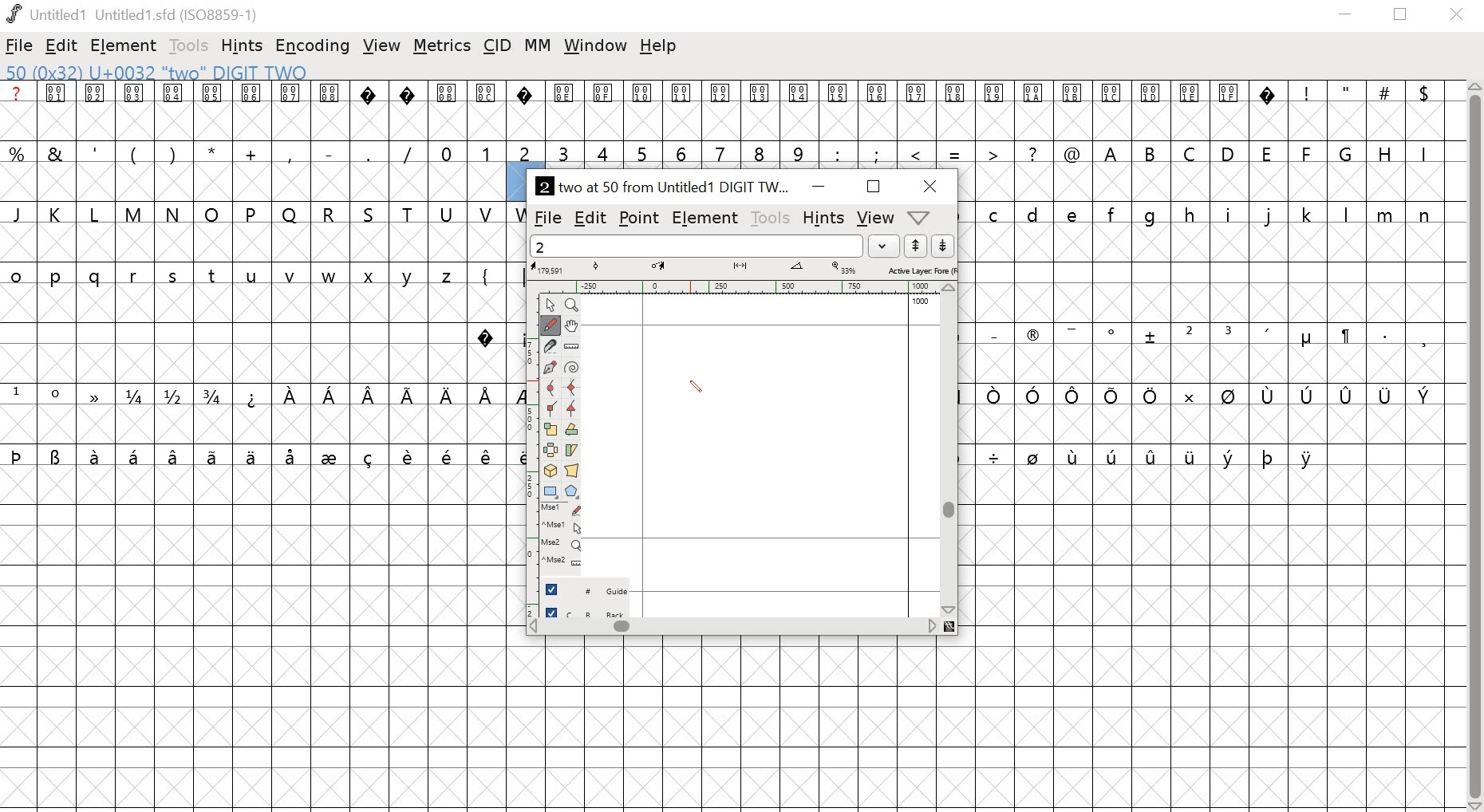 The image size is (1484, 812). What do you see at coordinates (565, 510) in the screenshot?
I see `mouse left button` at bounding box center [565, 510].